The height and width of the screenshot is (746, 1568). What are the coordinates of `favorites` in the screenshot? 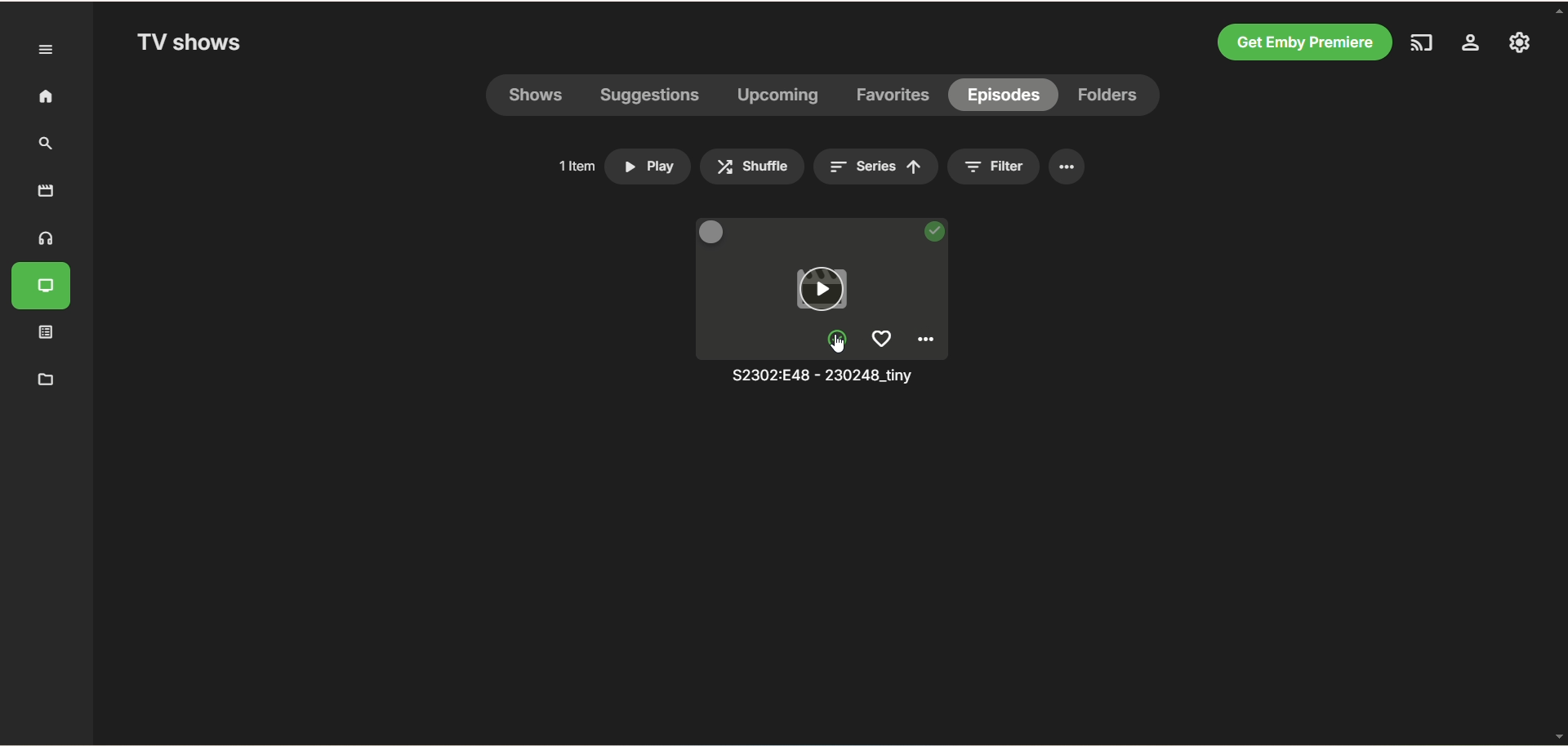 It's located at (881, 340).